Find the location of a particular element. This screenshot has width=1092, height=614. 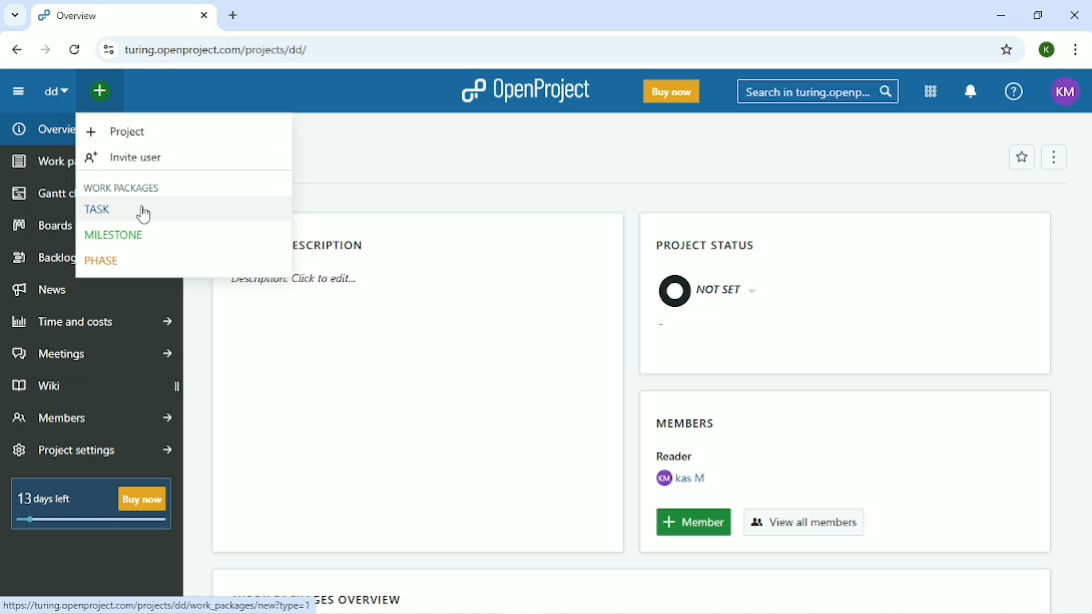

Task is located at coordinates (99, 209).